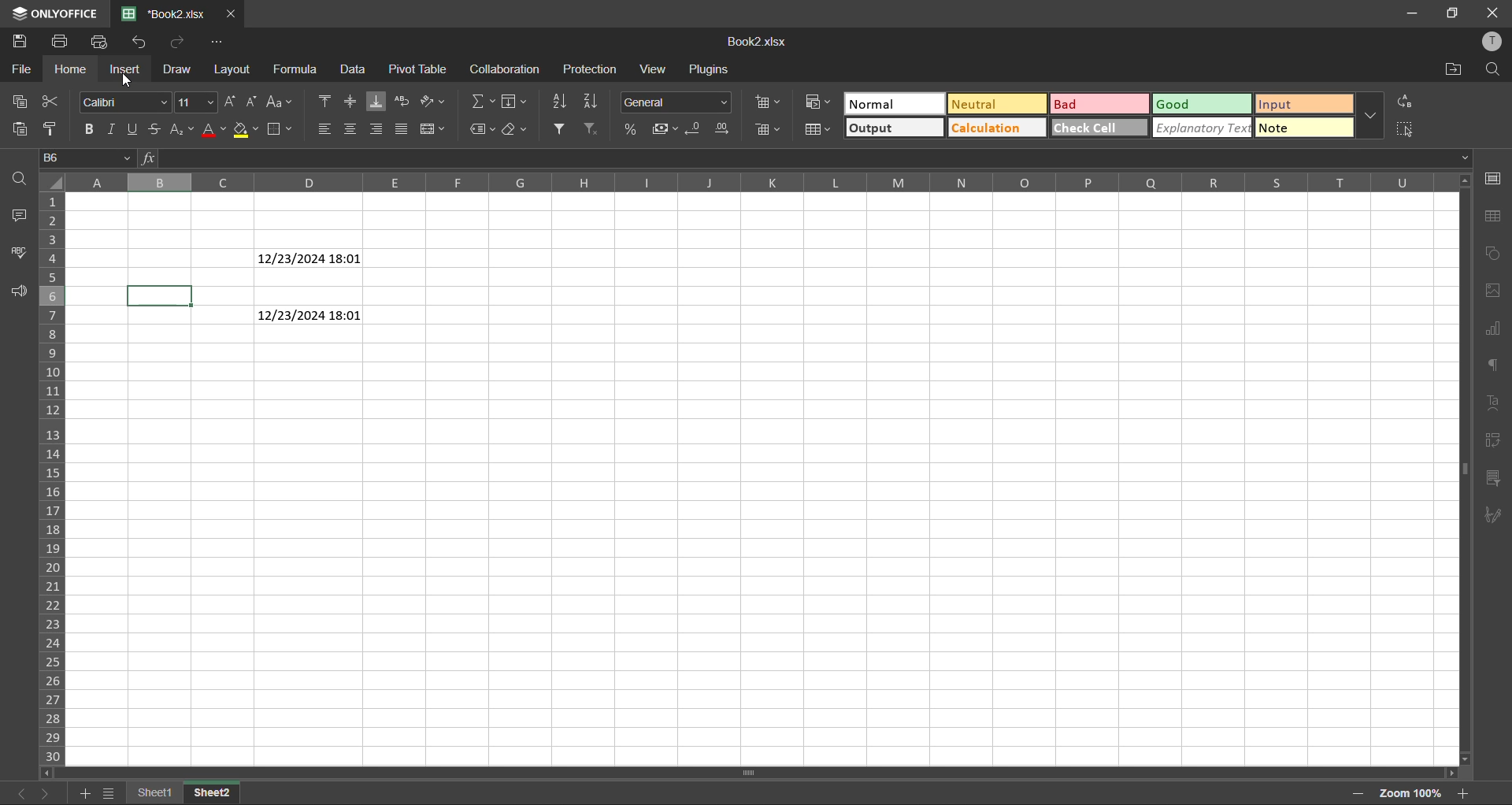 The height and width of the screenshot is (805, 1512). I want to click on orientation, so click(432, 101).